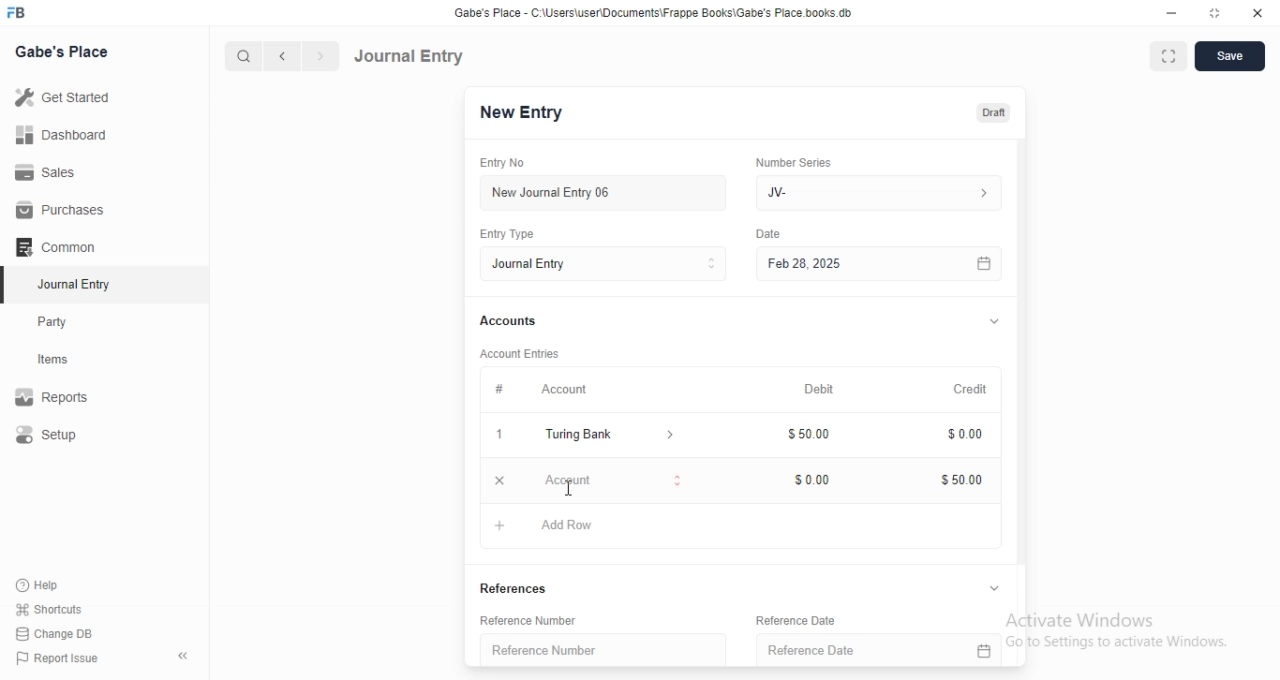  I want to click on Reports, so click(65, 399).